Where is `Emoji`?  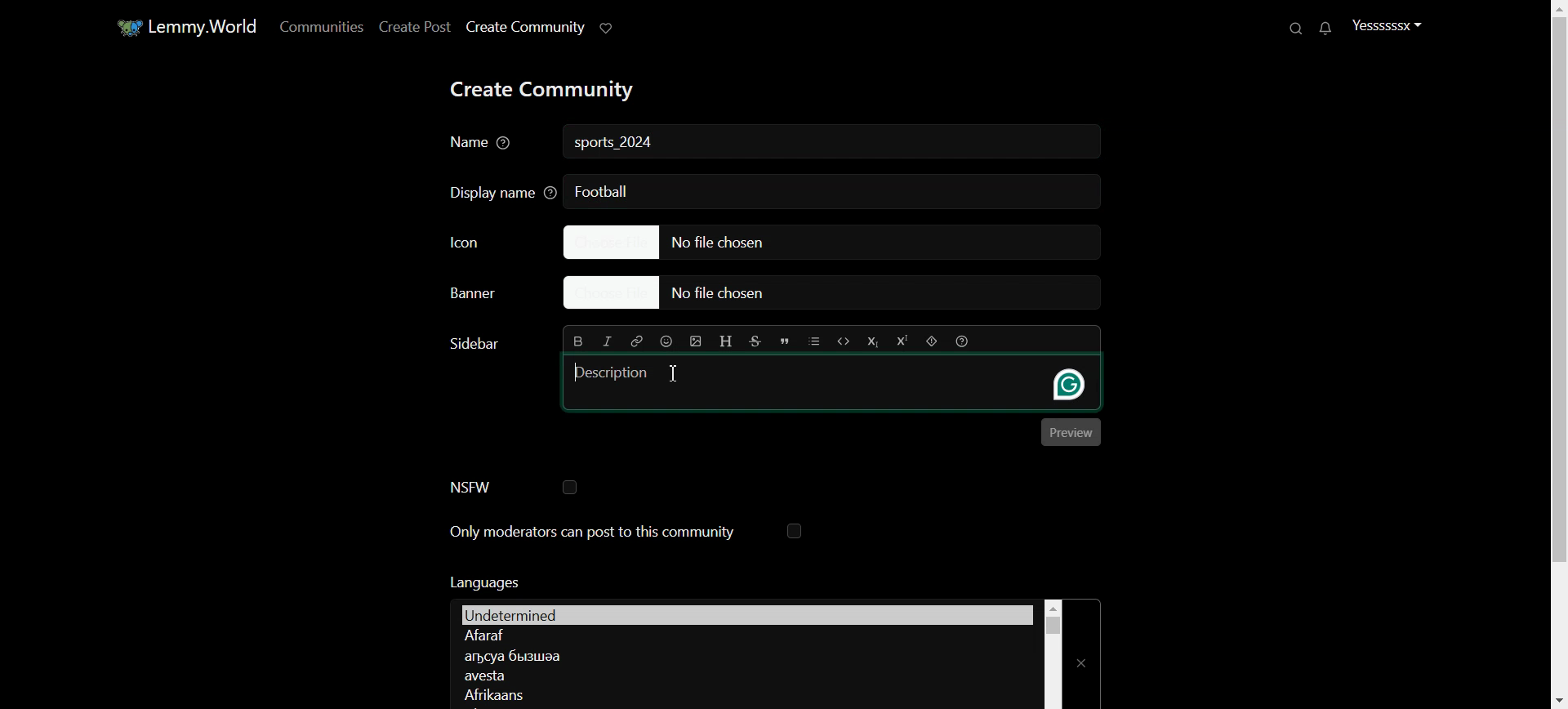
Emoji is located at coordinates (667, 341).